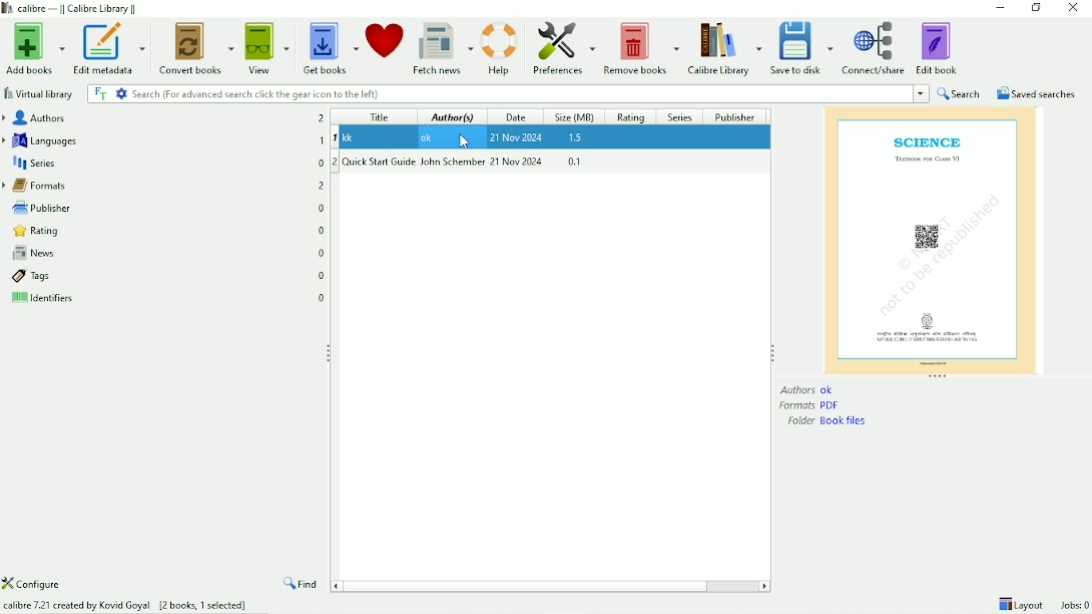 The image size is (1092, 614). What do you see at coordinates (1020, 604) in the screenshot?
I see `Layout` at bounding box center [1020, 604].